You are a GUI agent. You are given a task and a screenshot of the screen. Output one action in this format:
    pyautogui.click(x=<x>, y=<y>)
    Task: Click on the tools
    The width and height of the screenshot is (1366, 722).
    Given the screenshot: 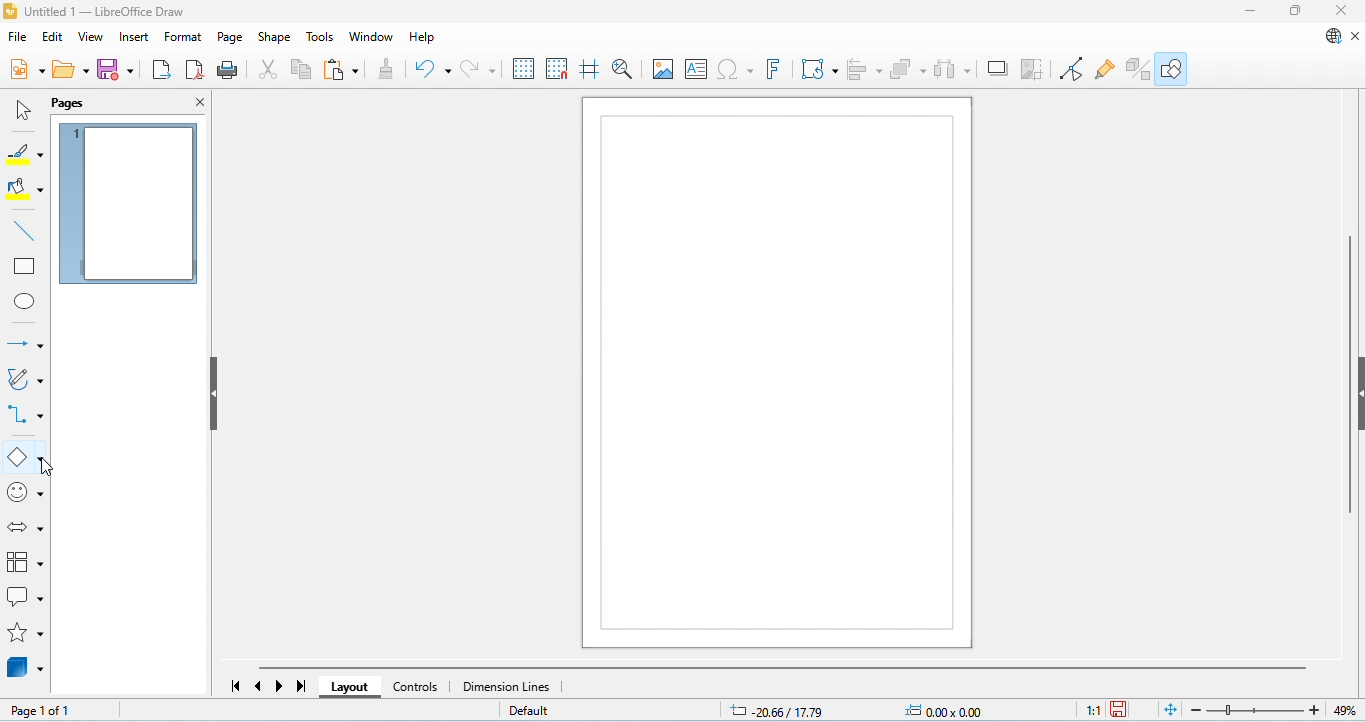 What is the action you would take?
    pyautogui.click(x=321, y=36)
    